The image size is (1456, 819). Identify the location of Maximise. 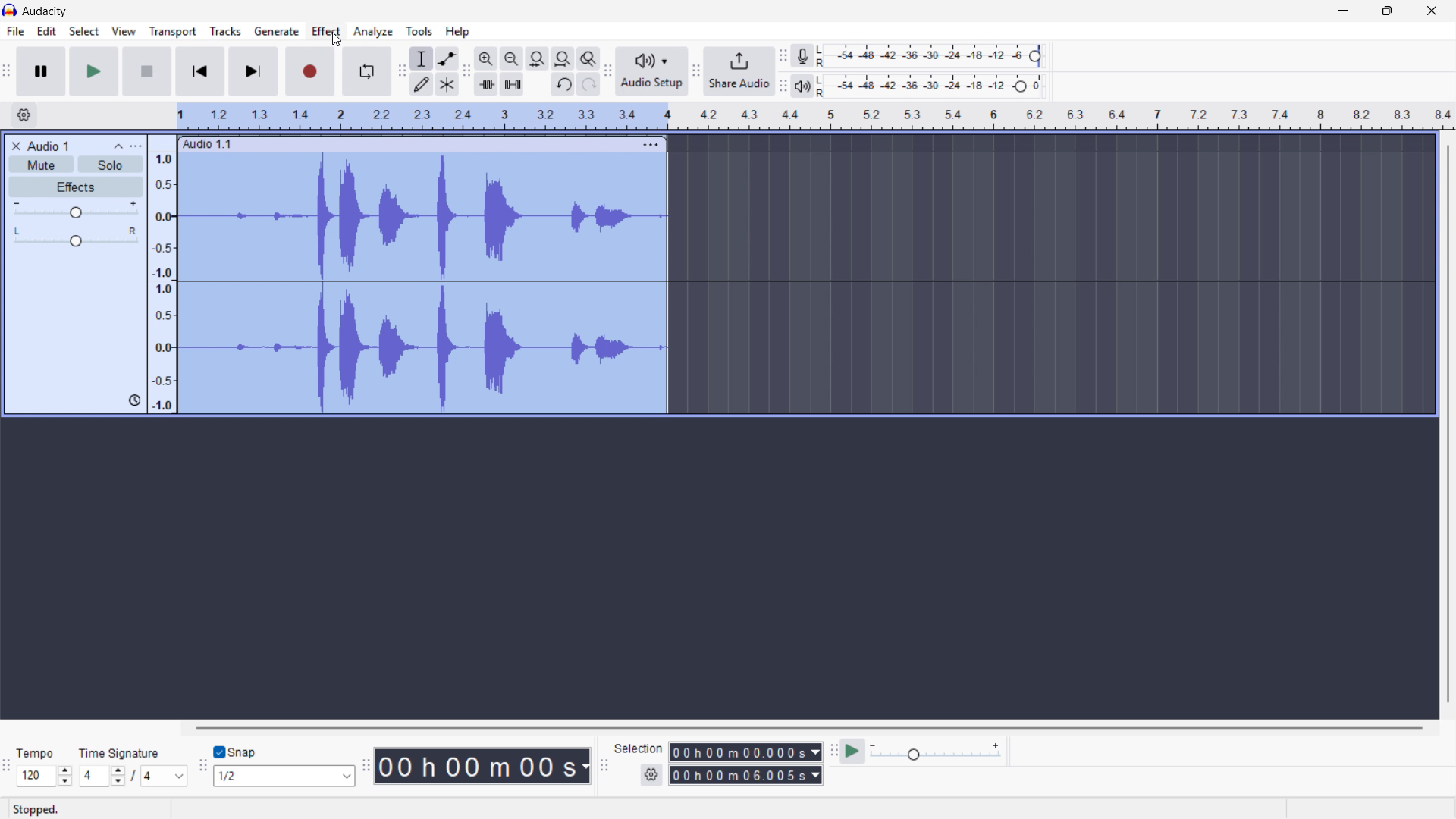
(1389, 11).